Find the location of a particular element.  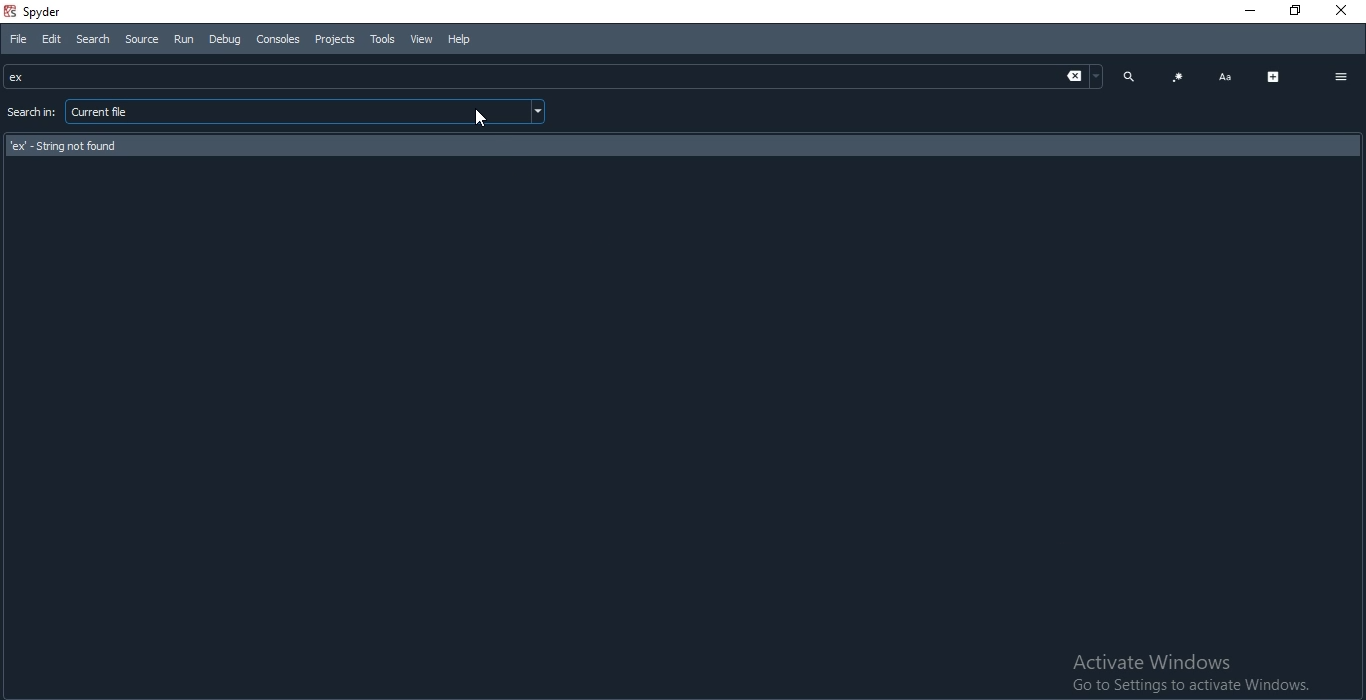

Consoles is located at coordinates (277, 39).